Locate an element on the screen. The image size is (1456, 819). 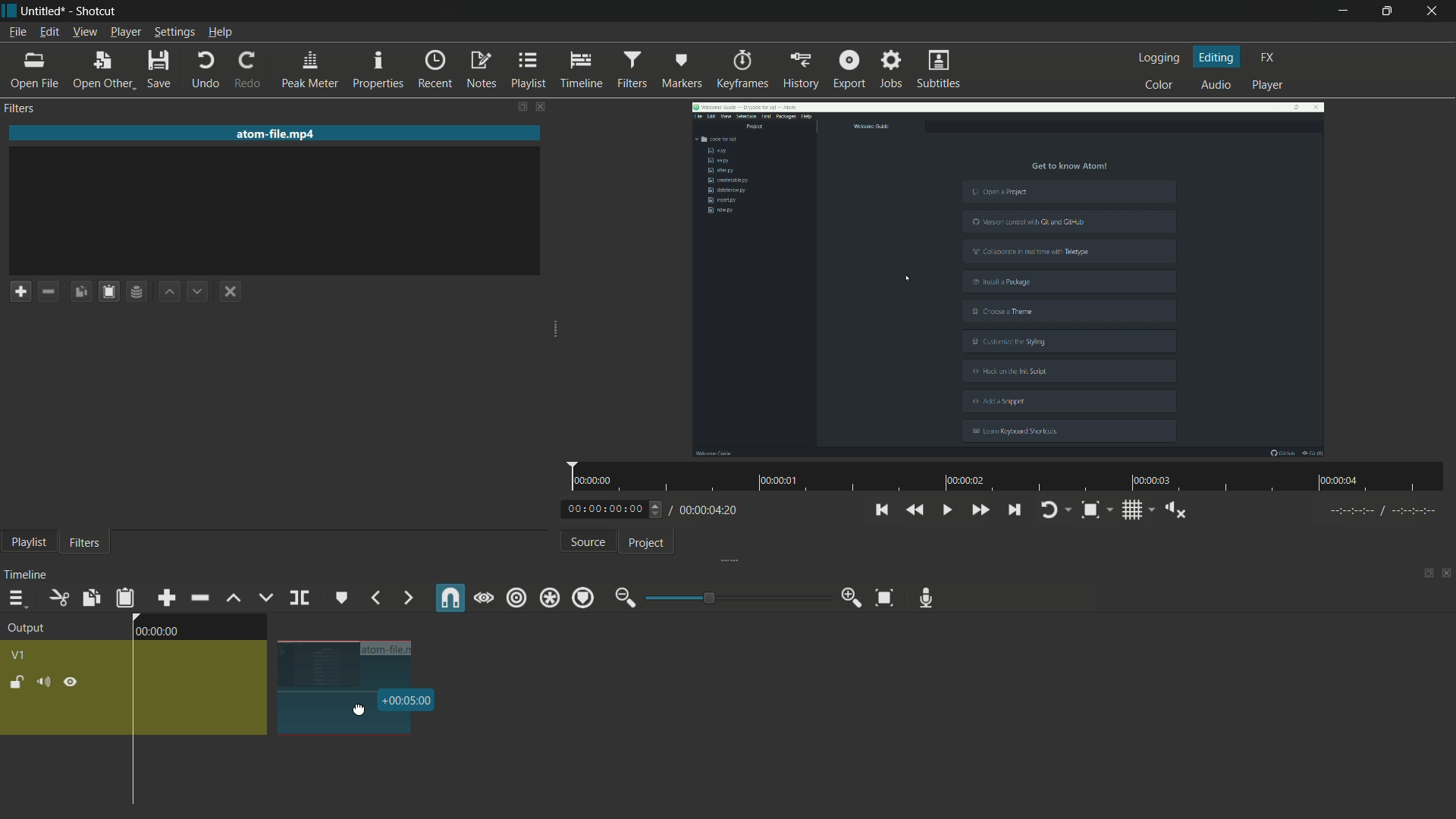
toggle player looping is located at coordinates (1053, 510).